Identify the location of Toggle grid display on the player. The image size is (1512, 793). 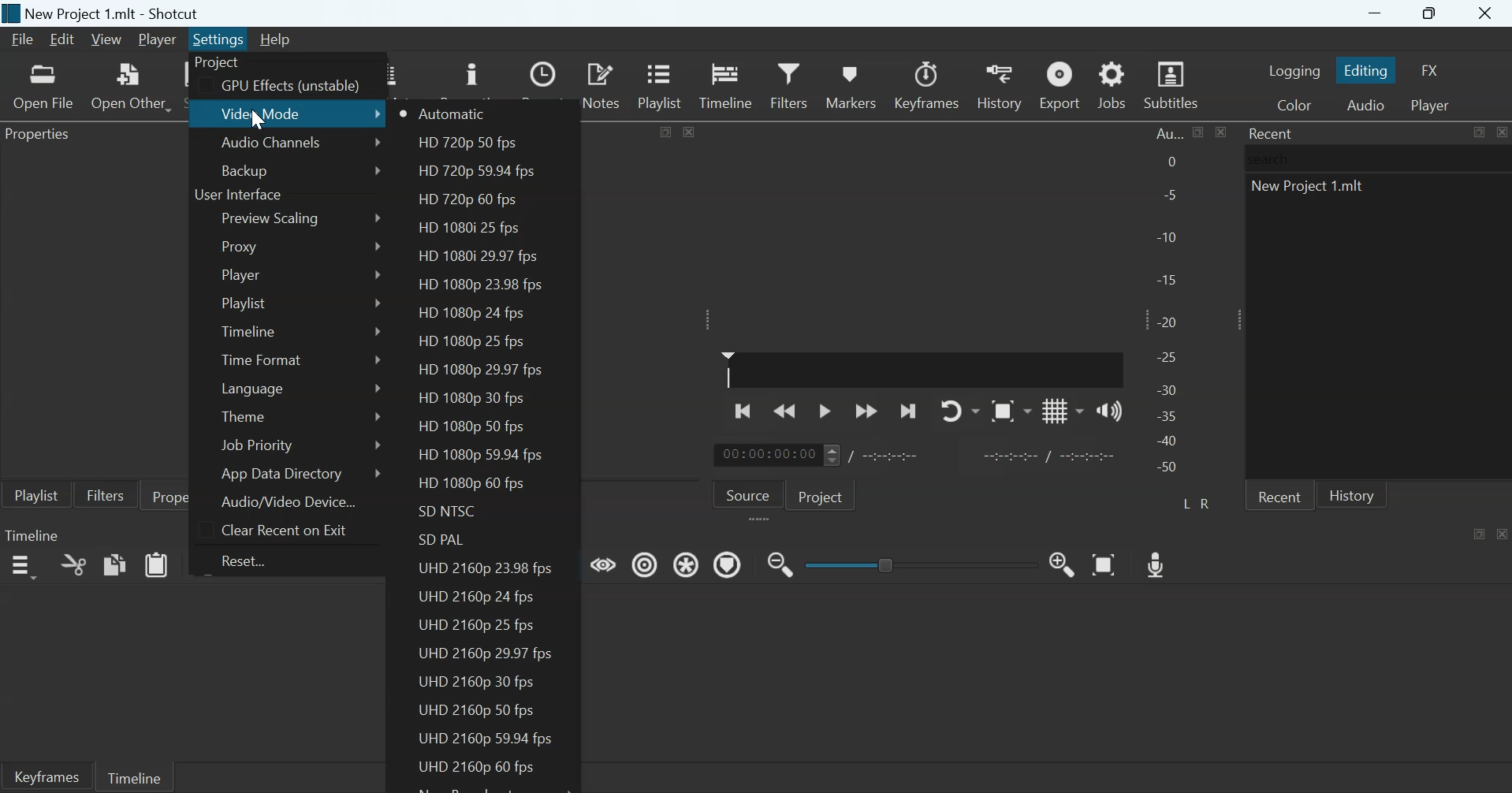
(1063, 410).